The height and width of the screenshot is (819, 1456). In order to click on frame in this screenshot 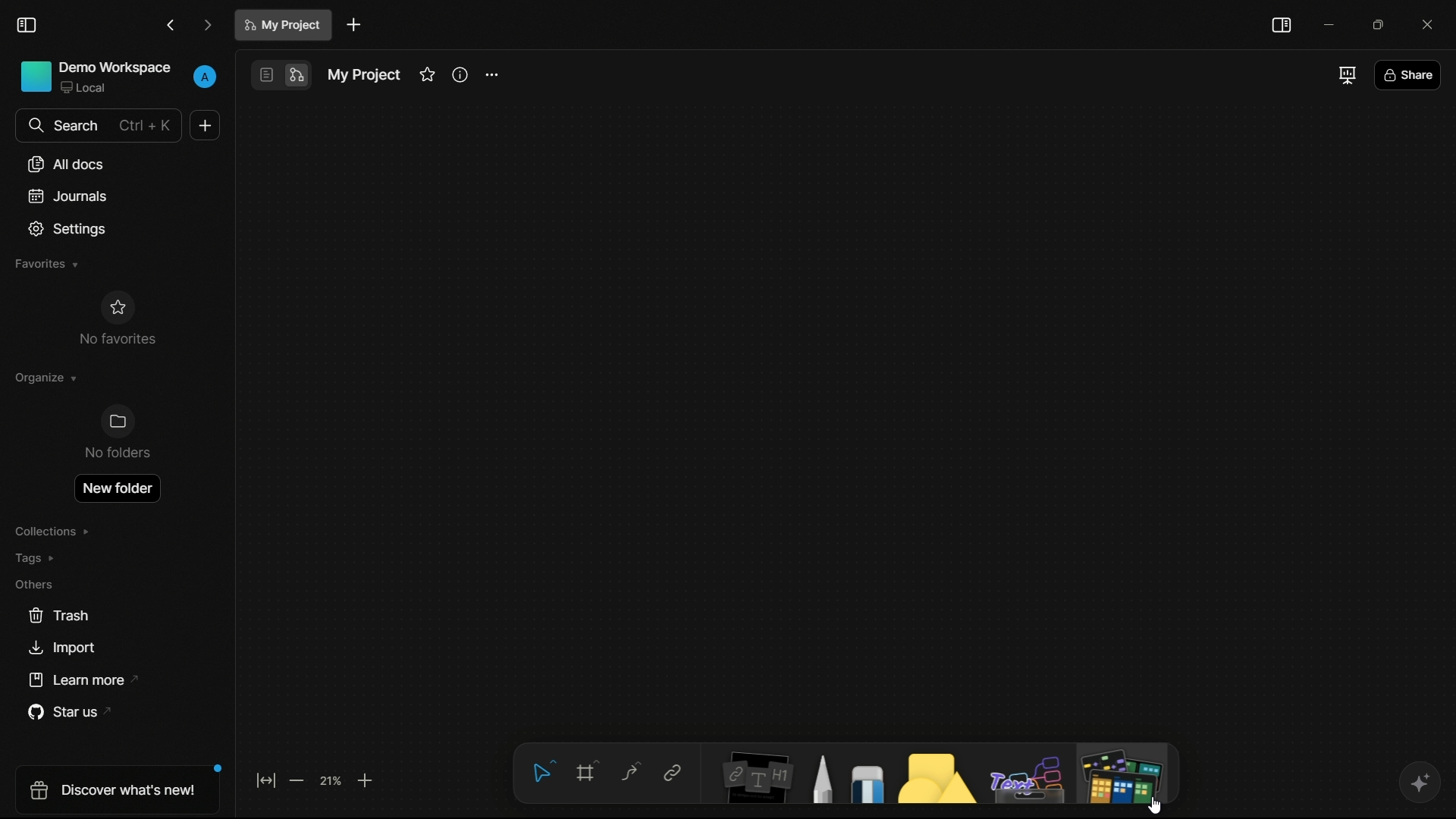, I will do `click(588, 774)`.